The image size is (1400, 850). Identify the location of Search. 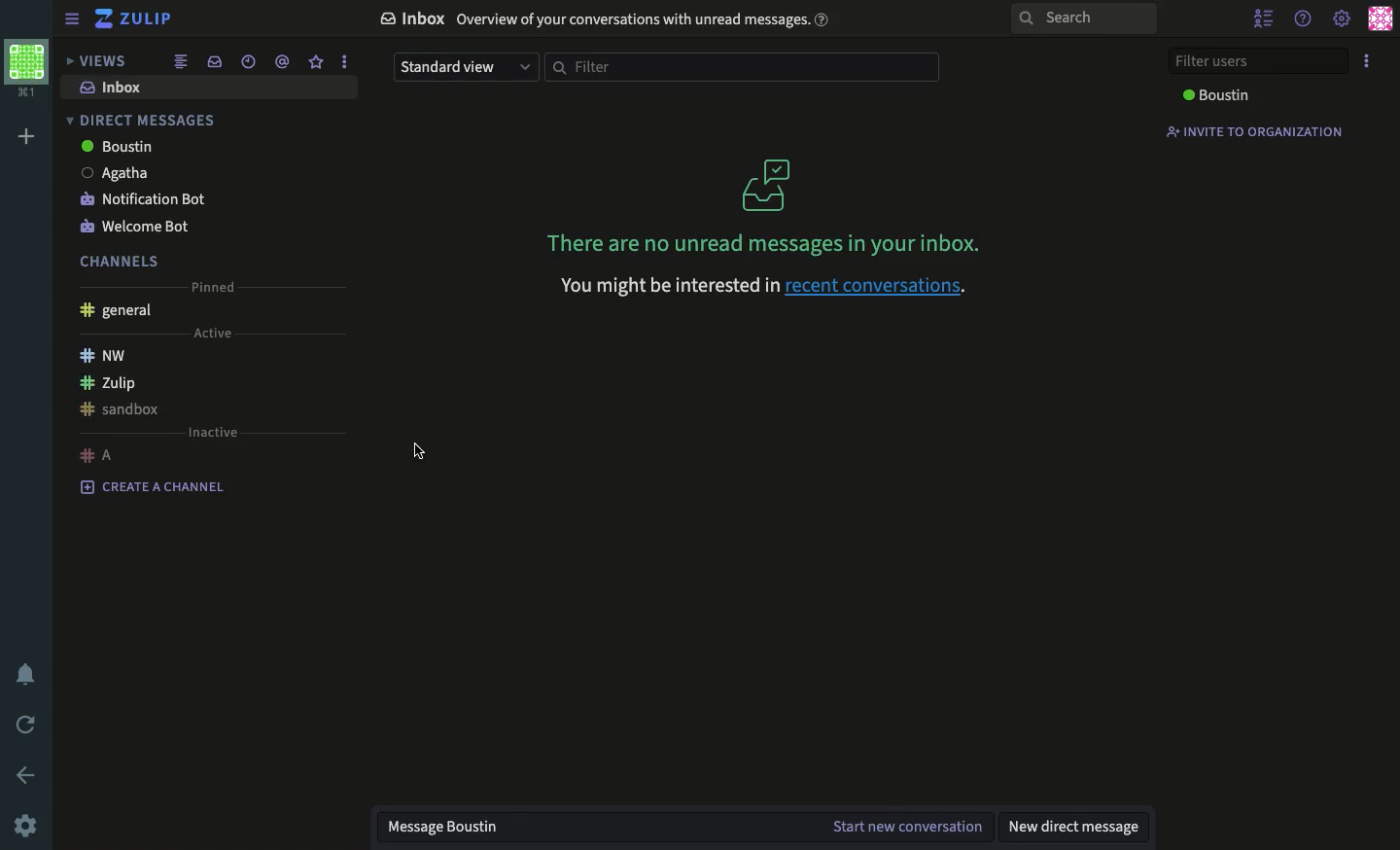
(1084, 18).